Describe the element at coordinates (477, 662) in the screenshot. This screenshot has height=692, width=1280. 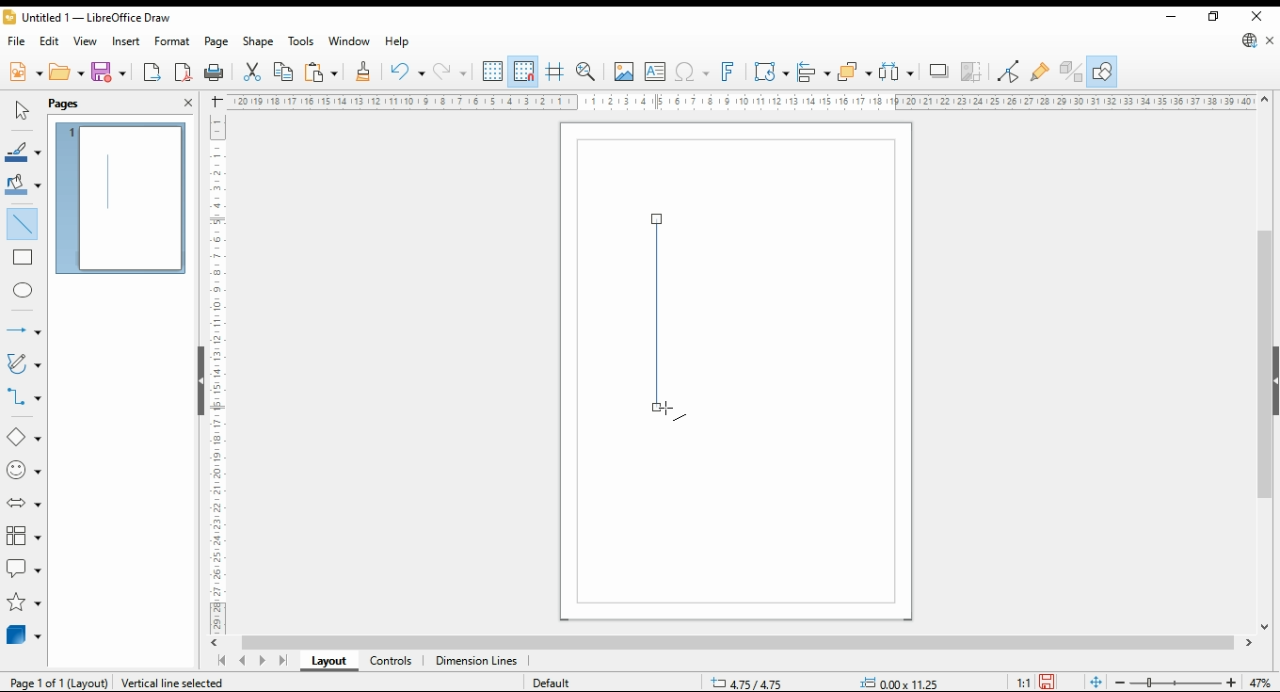
I see `dimension` at that location.